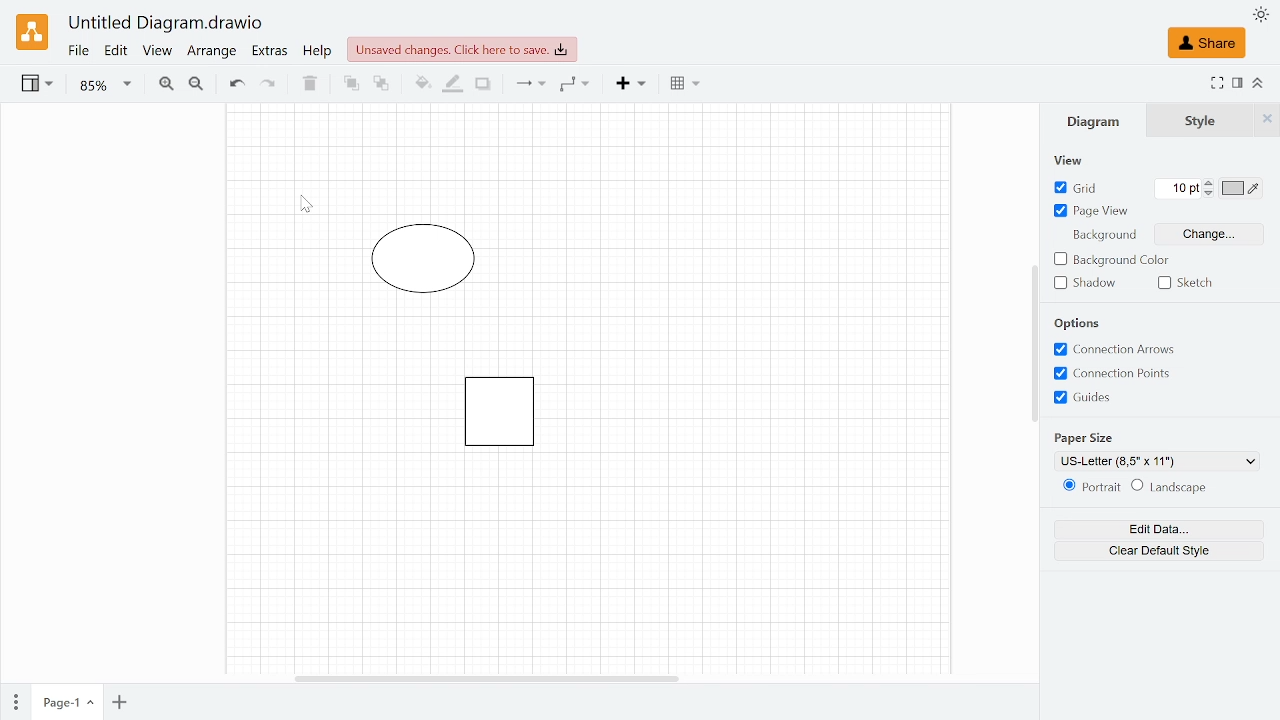 Image resolution: width=1280 pixels, height=720 pixels. What do you see at coordinates (685, 86) in the screenshot?
I see `Table` at bounding box center [685, 86].